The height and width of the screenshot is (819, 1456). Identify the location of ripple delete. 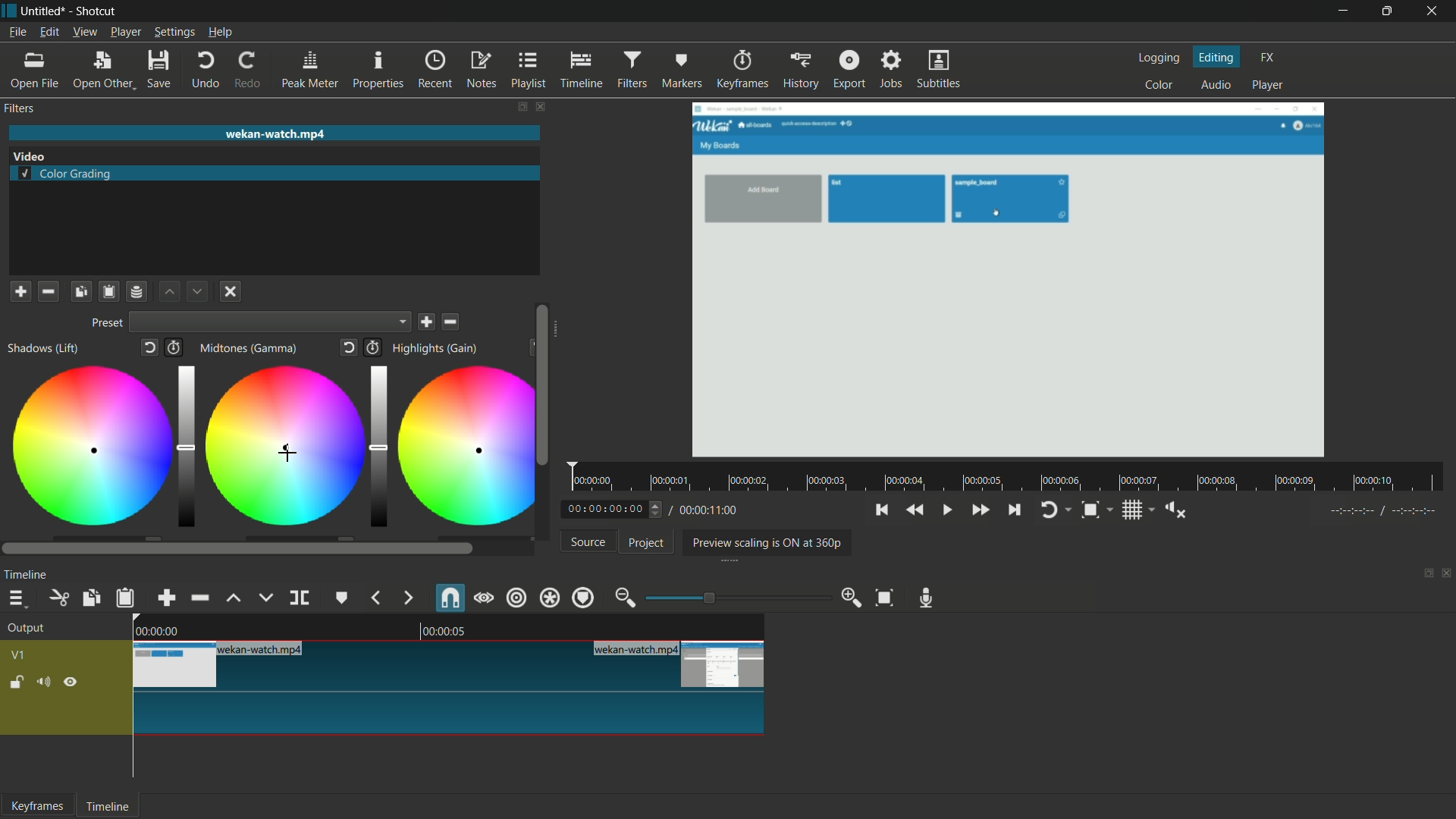
(198, 598).